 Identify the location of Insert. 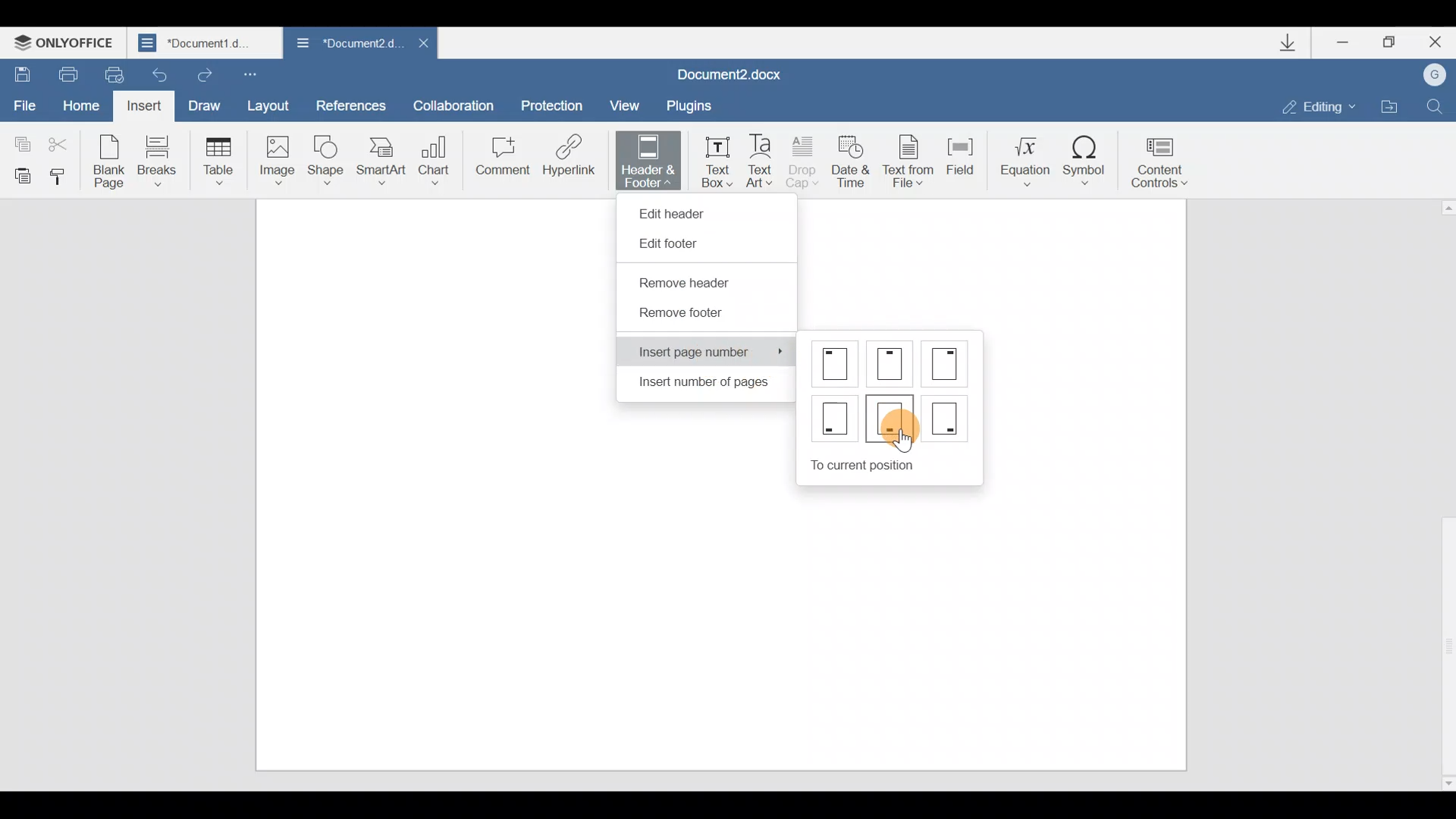
(145, 106).